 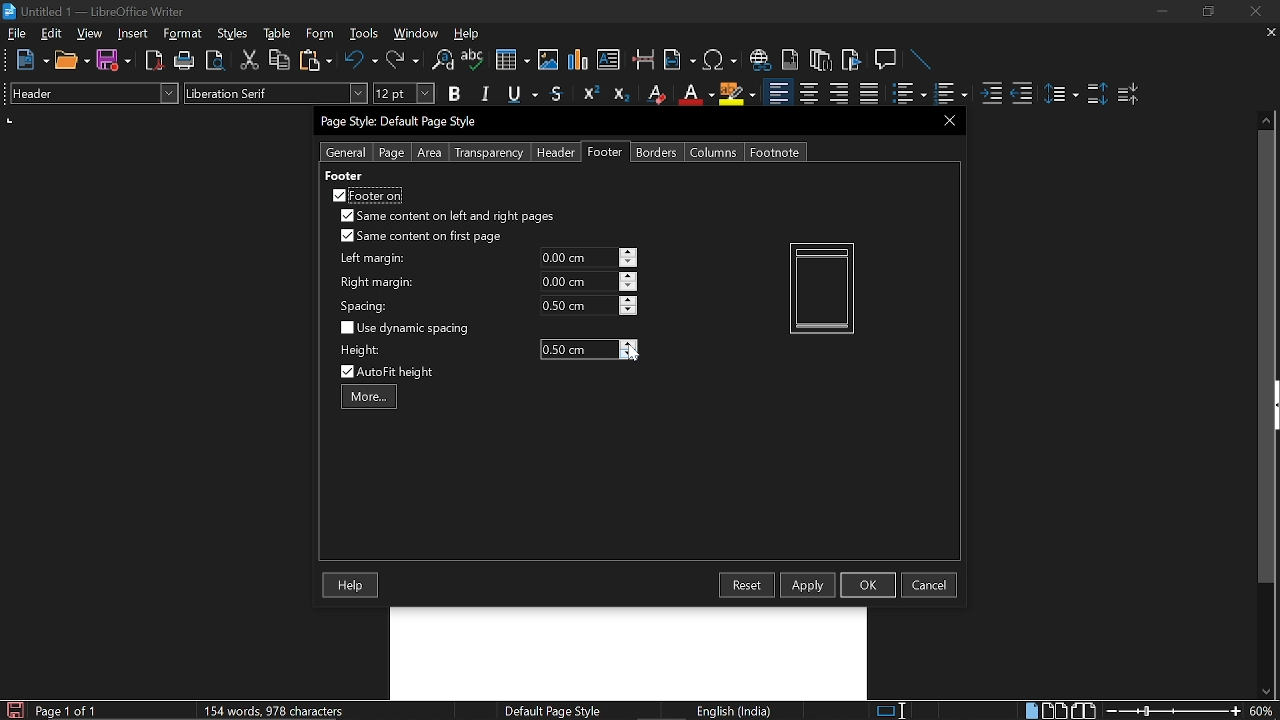 What do you see at coordinates (761, 60) in the screenshot?
I see `Insert hyperlink` at bounding box center [761, 60].